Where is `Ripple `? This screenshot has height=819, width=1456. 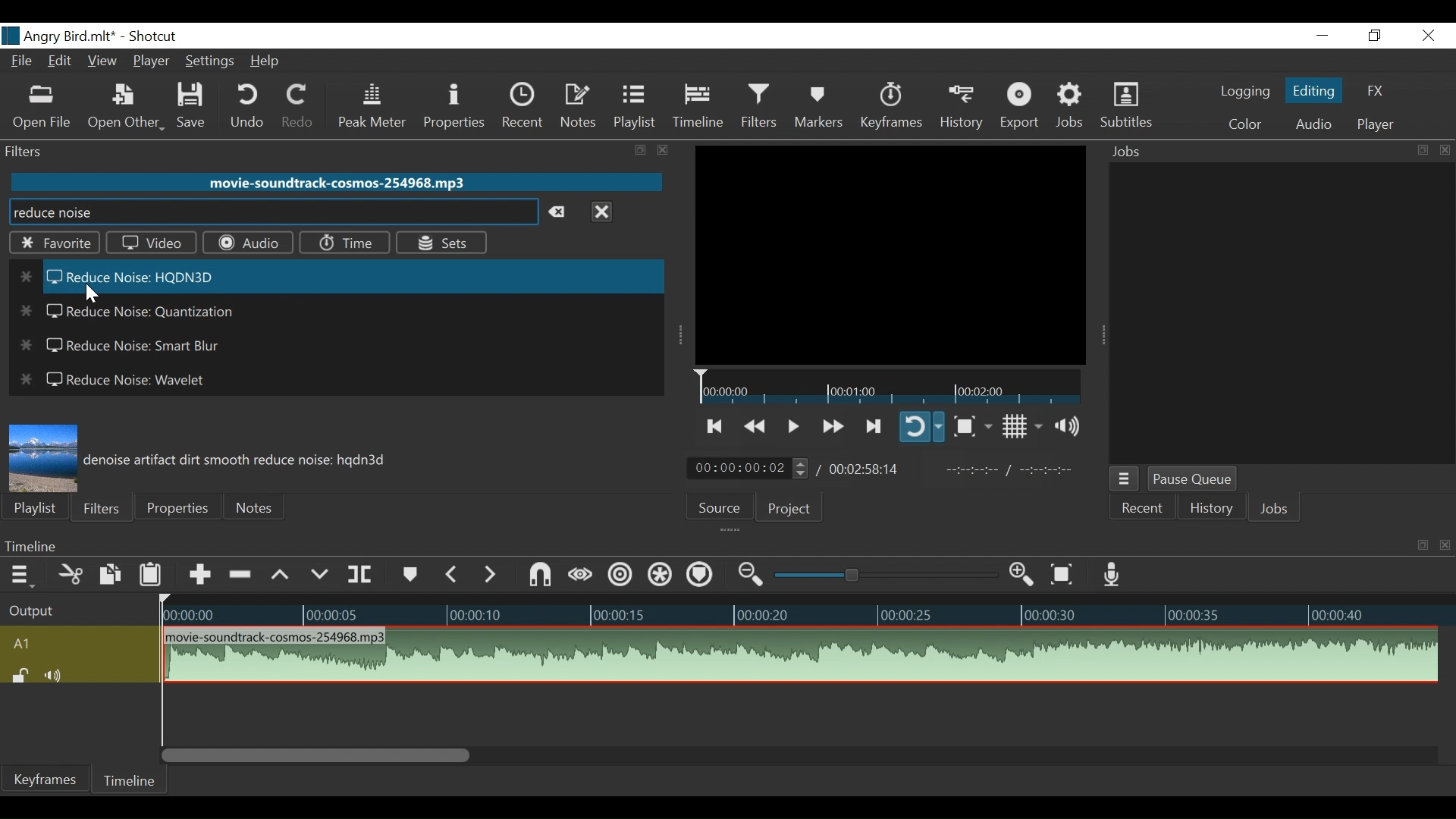
Ripple  is located at coordinates (618, 576).